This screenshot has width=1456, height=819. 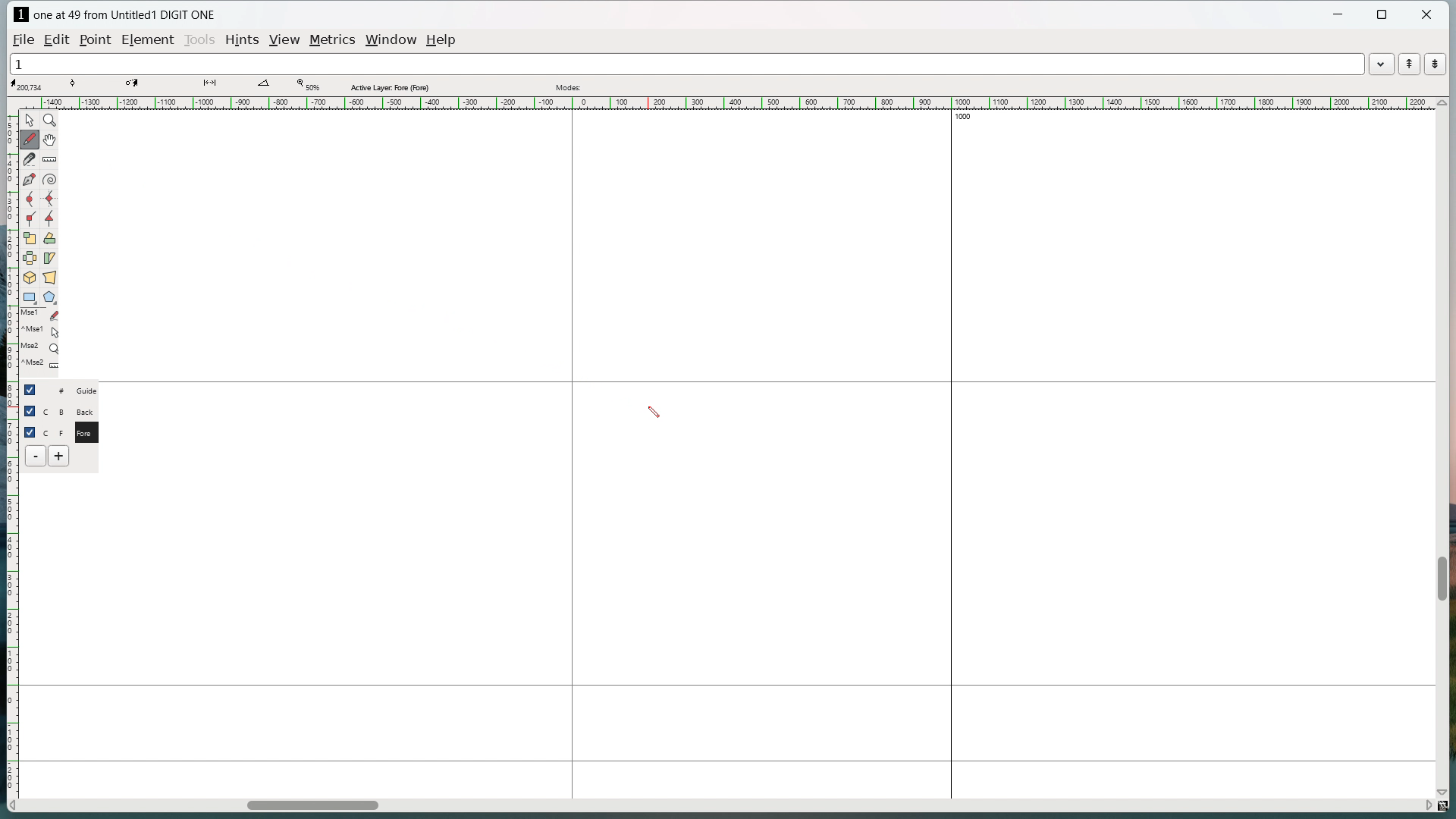 I want to click on maximize, so click(x=1383, y=15).